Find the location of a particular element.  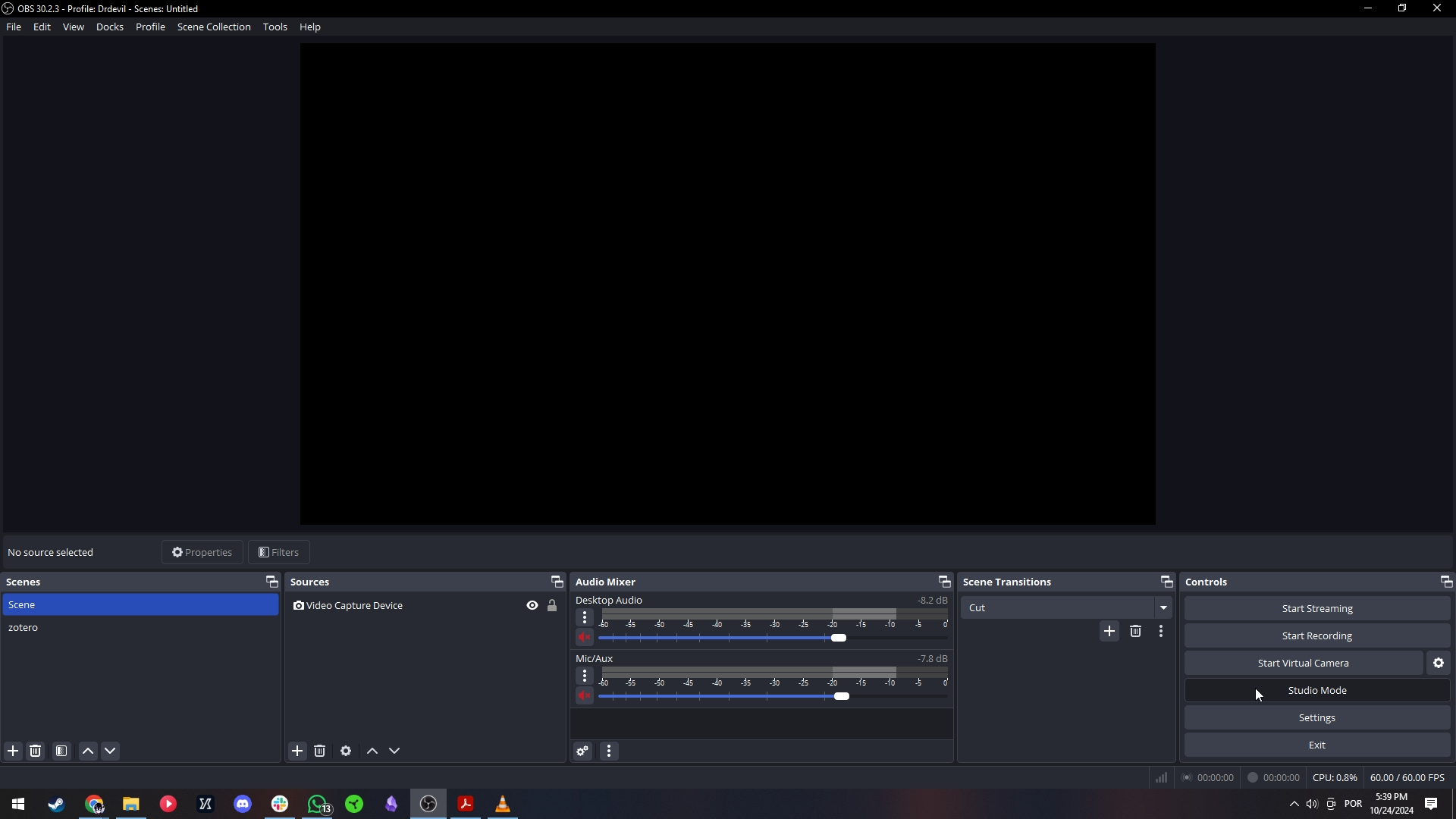

Sources is located at coordinates (416, 582).